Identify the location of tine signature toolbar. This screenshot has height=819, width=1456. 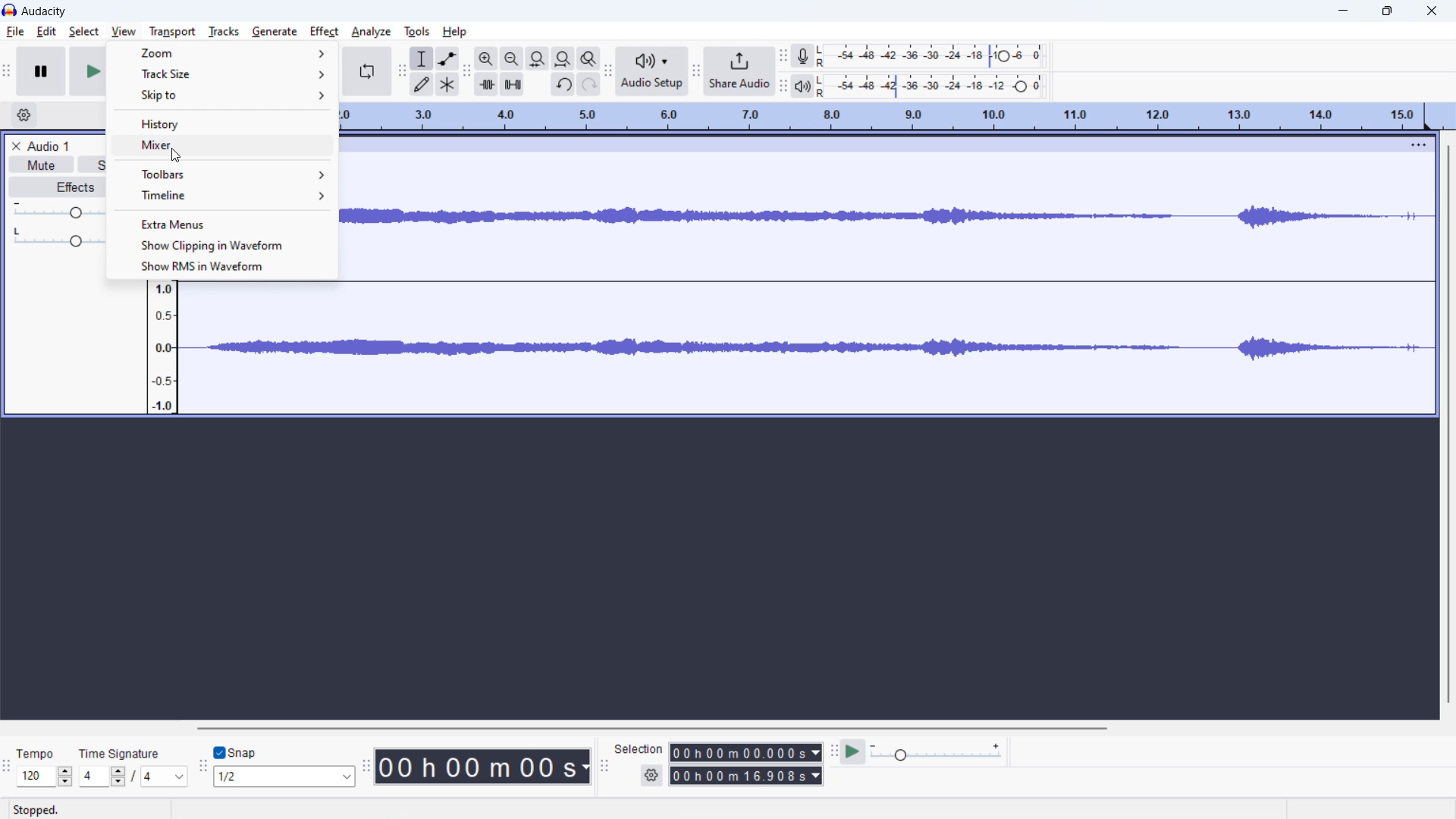
(7, 766).